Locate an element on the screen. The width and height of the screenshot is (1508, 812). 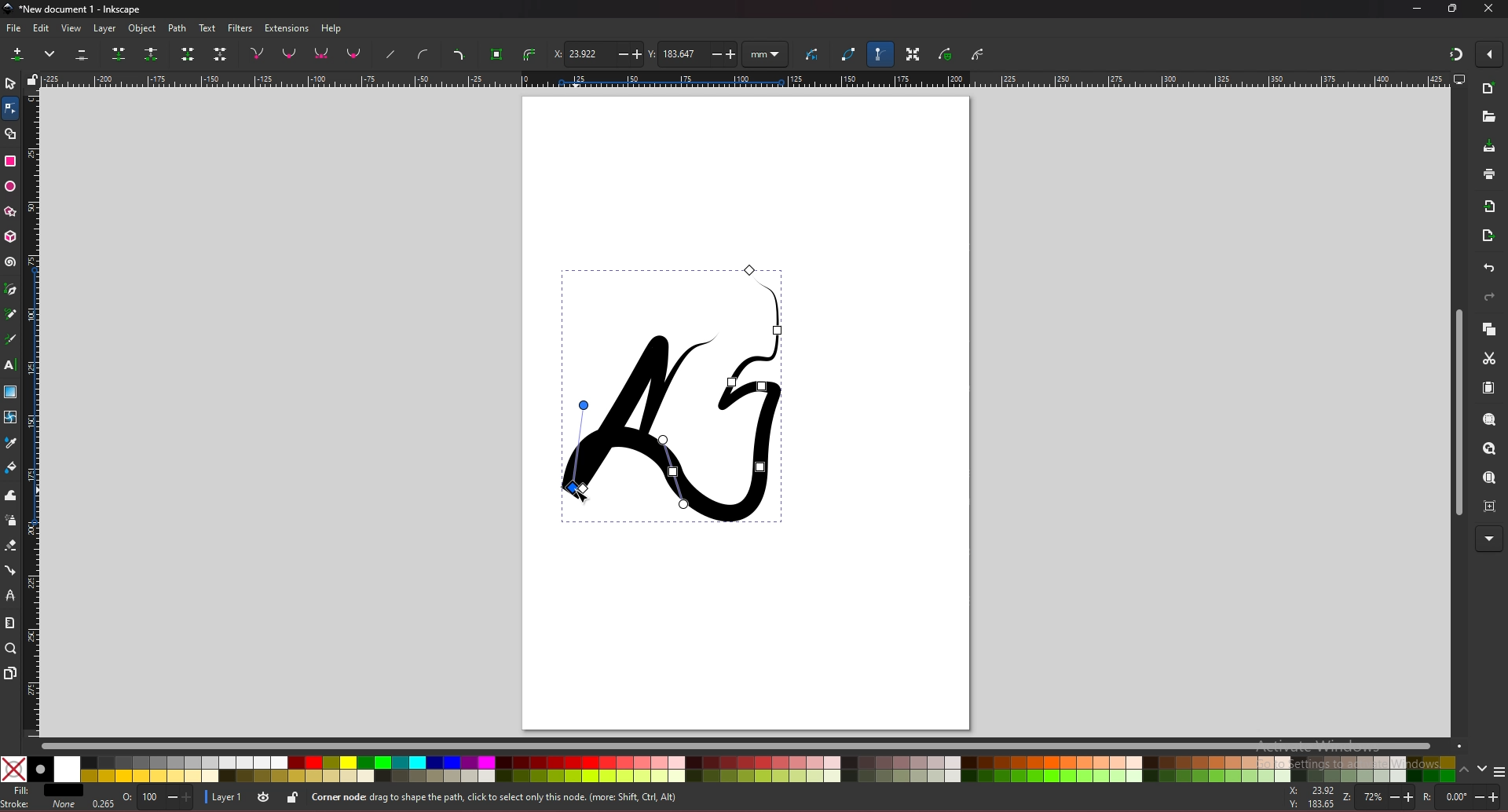
calligraphy is located at coordinates (10, 339).